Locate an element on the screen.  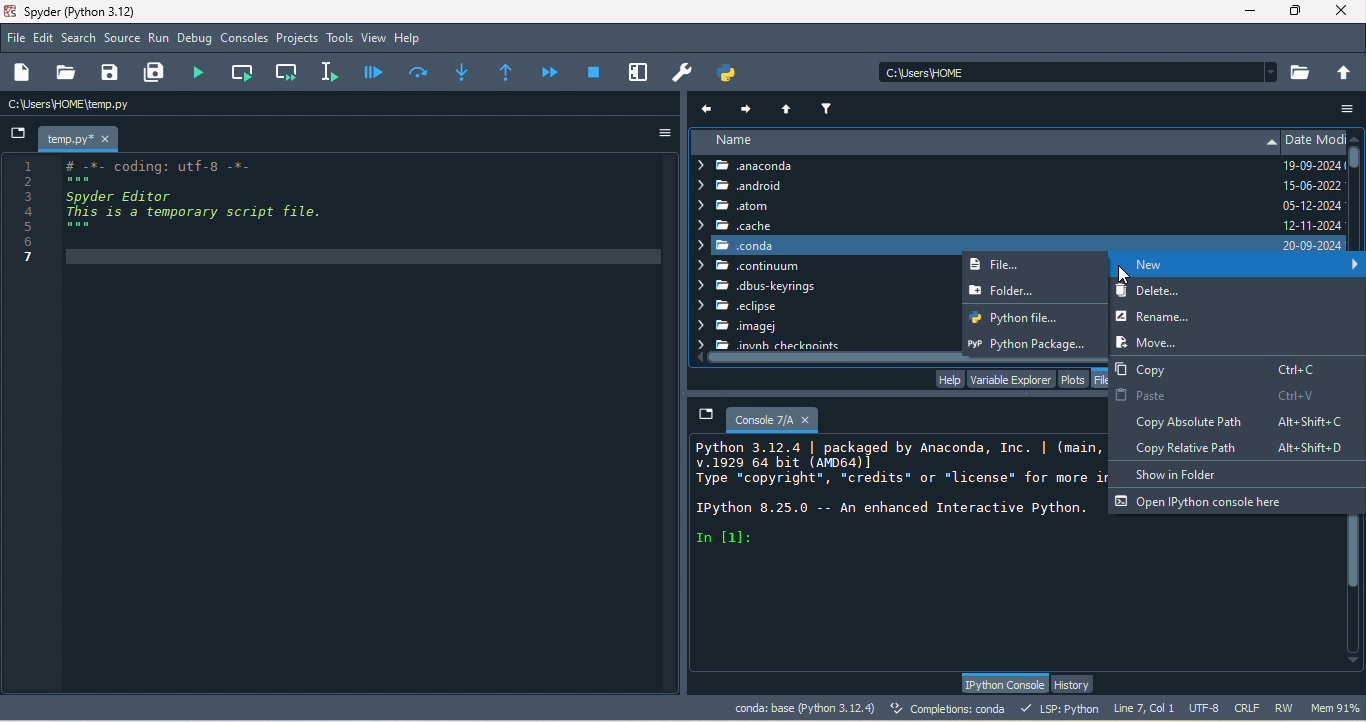
view is located at coordinates (374, 38).